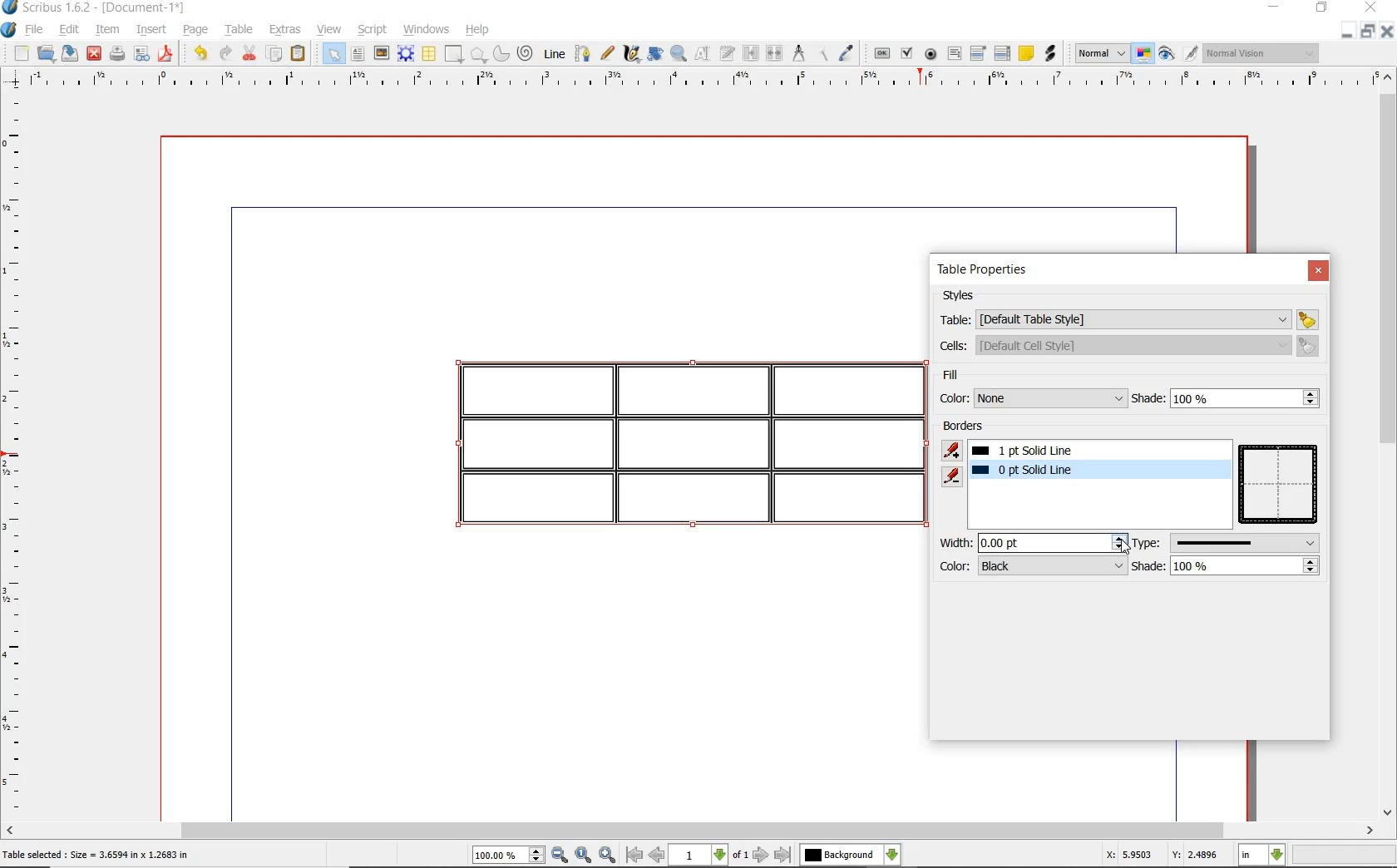  Describe the element at coordinates (1273, 7) in the screenshot. I see `MINIMIZE` at that location.